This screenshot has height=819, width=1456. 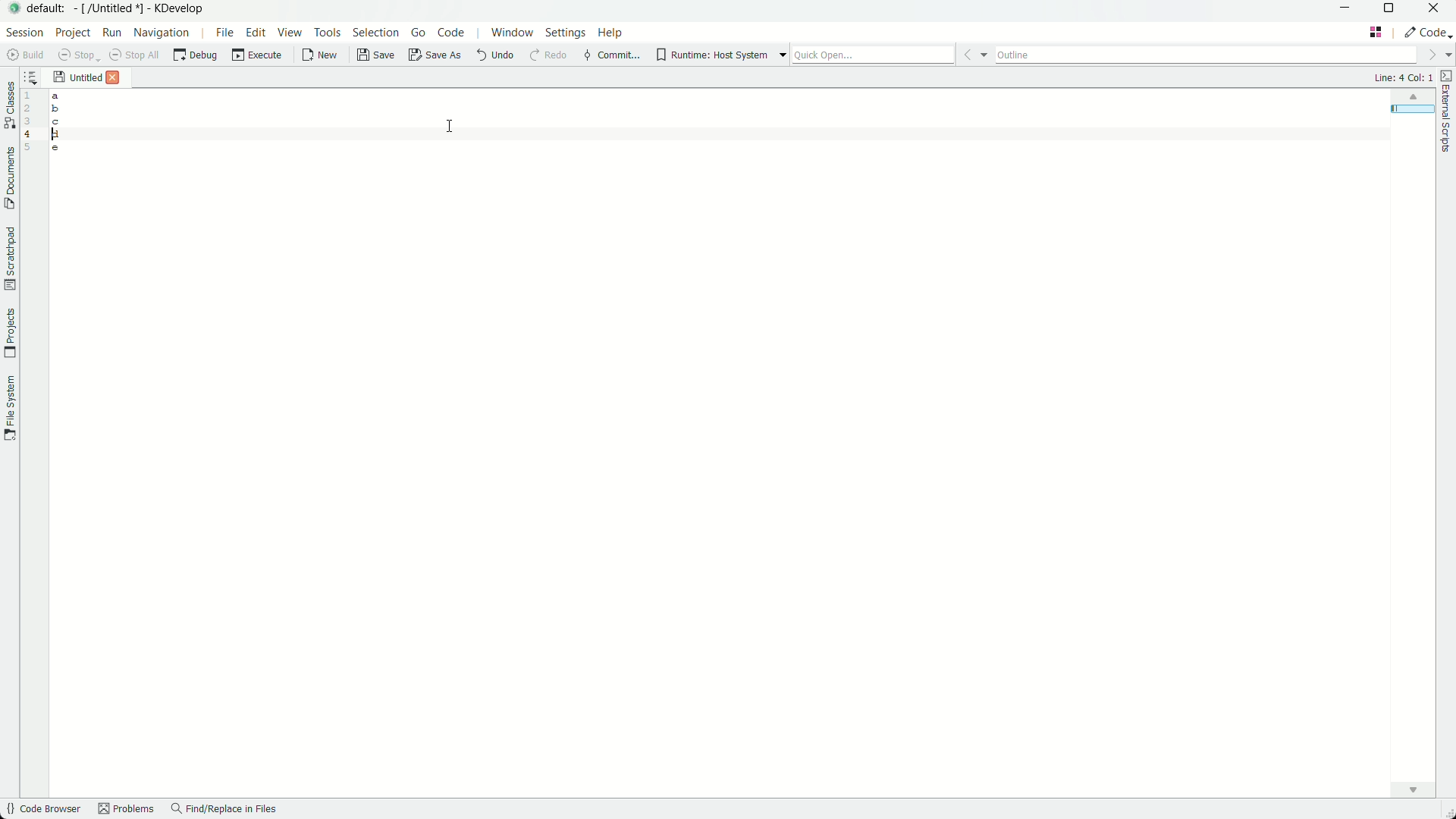 What do you see at coordinates (9, 259) in the screenshot?
I see `scratchpad` at bounding box center [9, 259].